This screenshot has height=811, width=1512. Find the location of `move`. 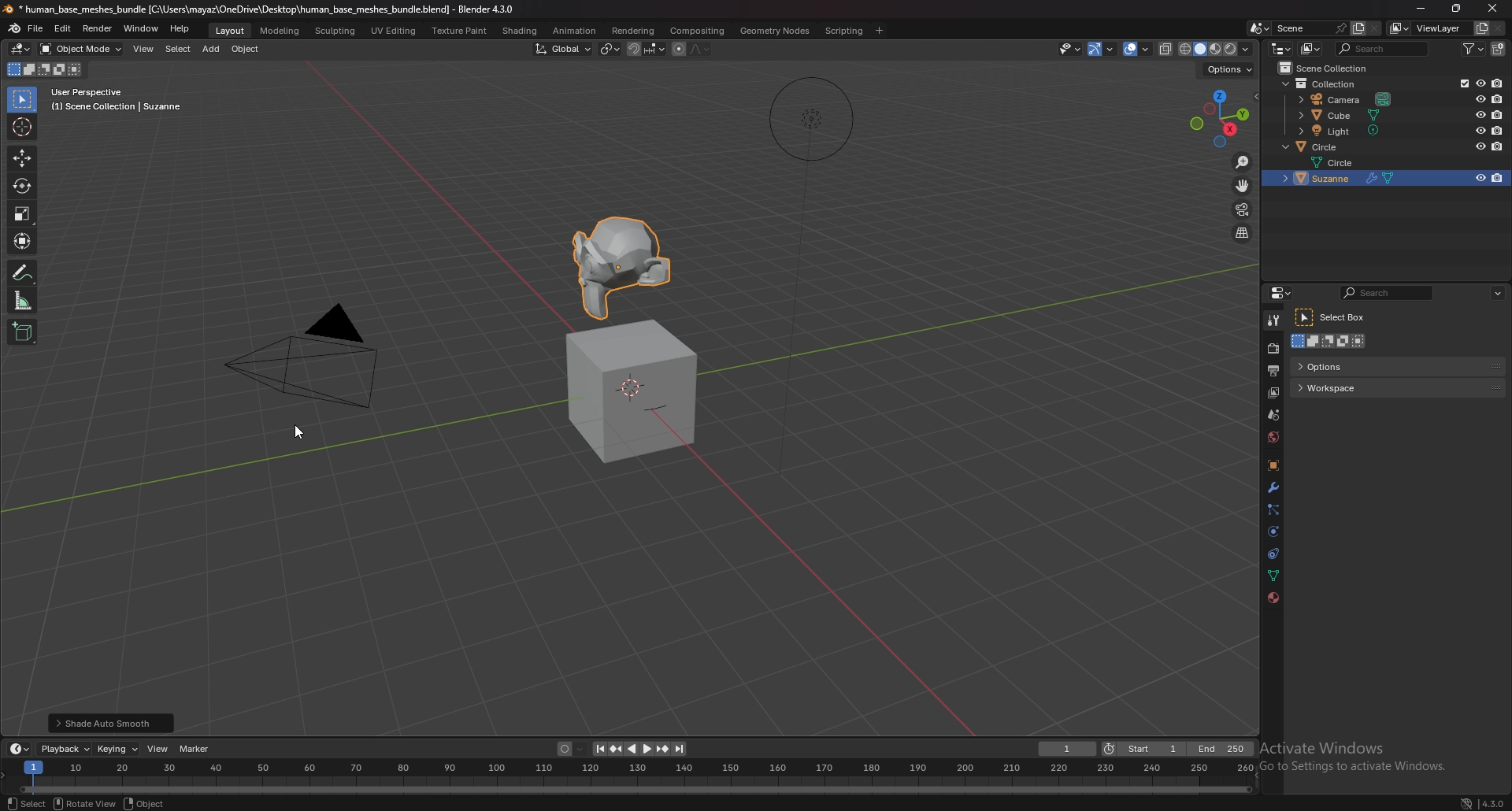

move is located at coordinates (1243, 185).